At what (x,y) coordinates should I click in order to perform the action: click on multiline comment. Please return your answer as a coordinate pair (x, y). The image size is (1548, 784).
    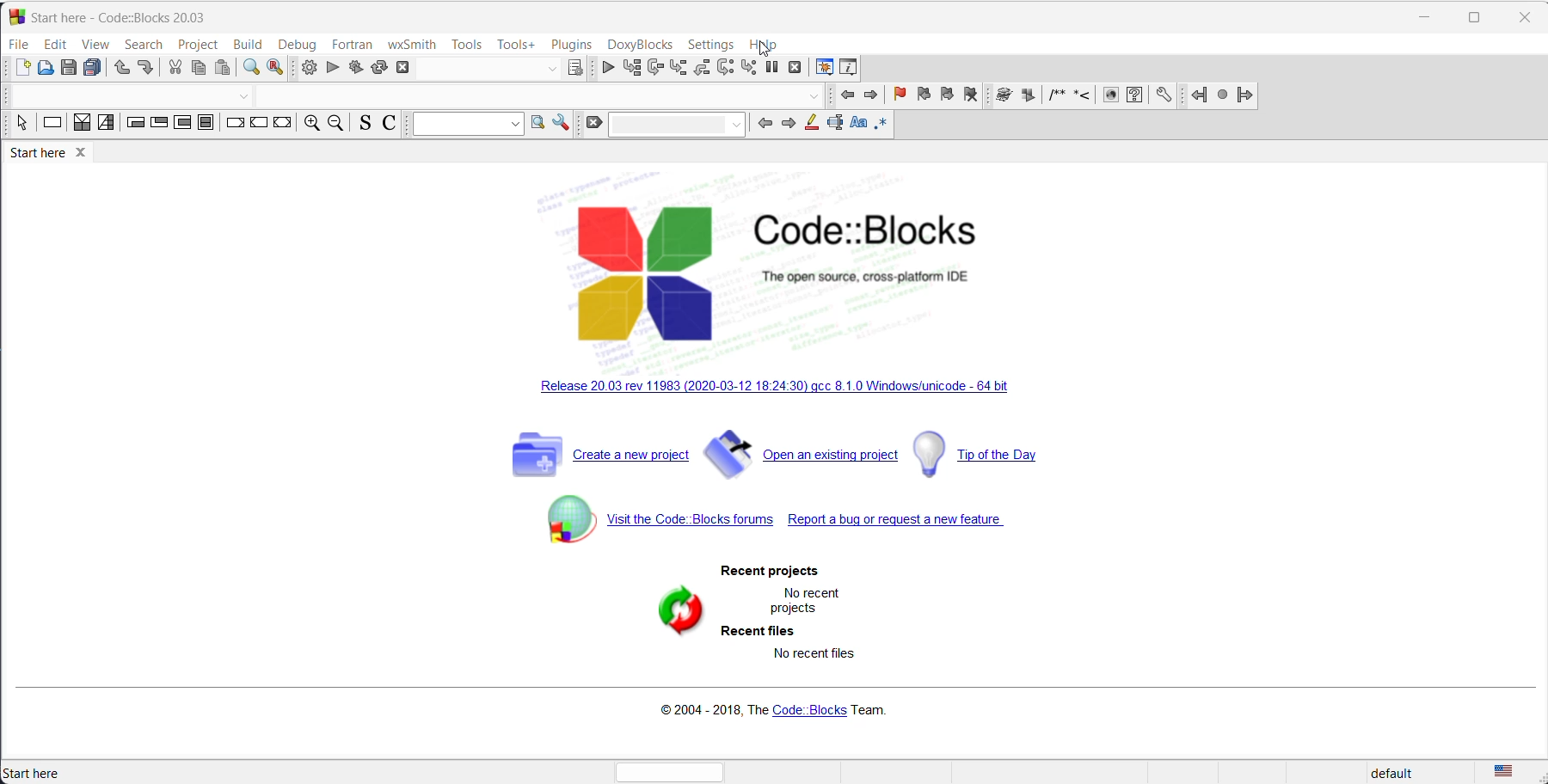
    Looking at the image, I should click on (1056, 96).